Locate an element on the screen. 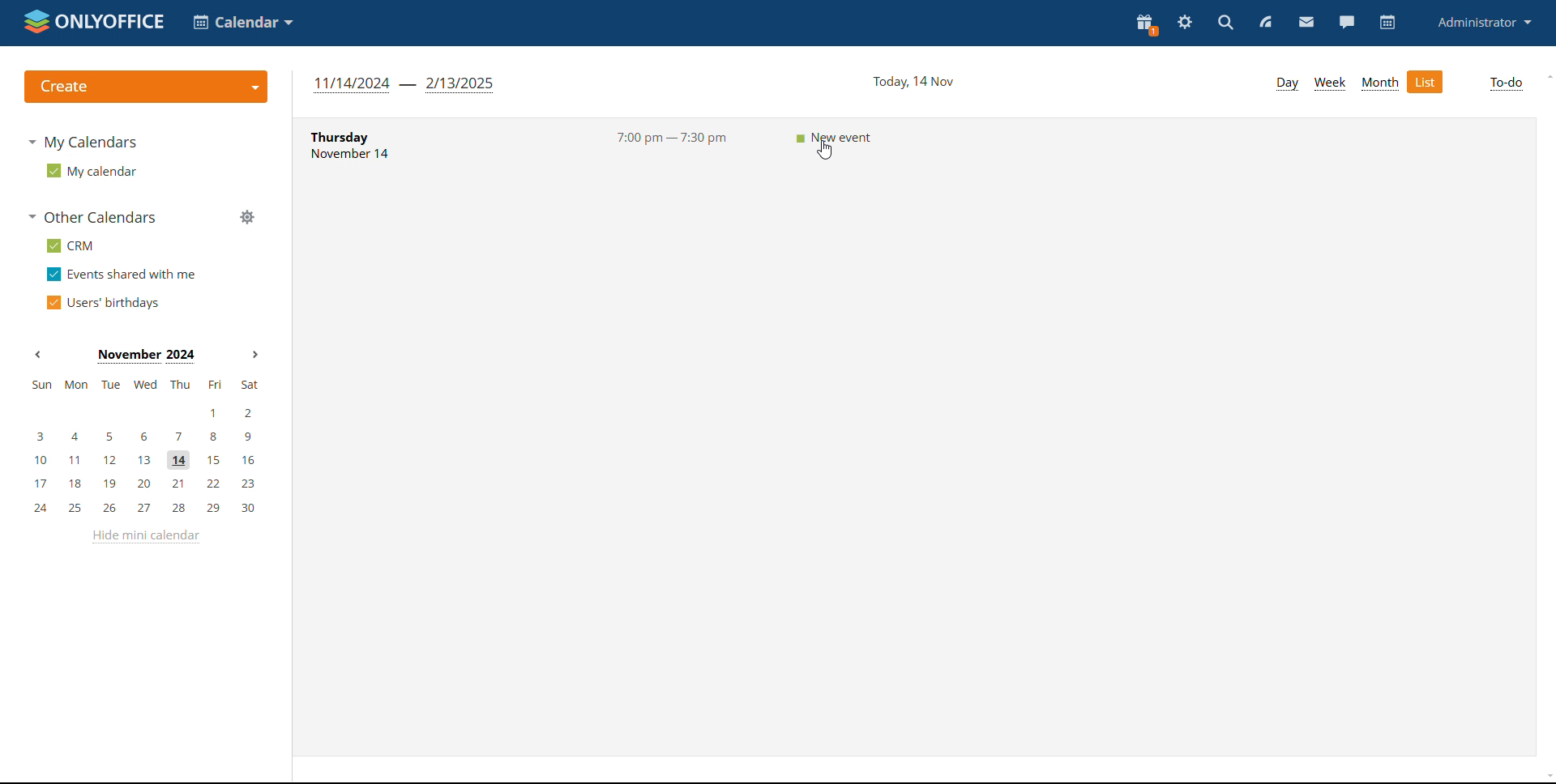 The width and height of the screenshot is (1556, 784). select application is located at coordinates (245, 21).